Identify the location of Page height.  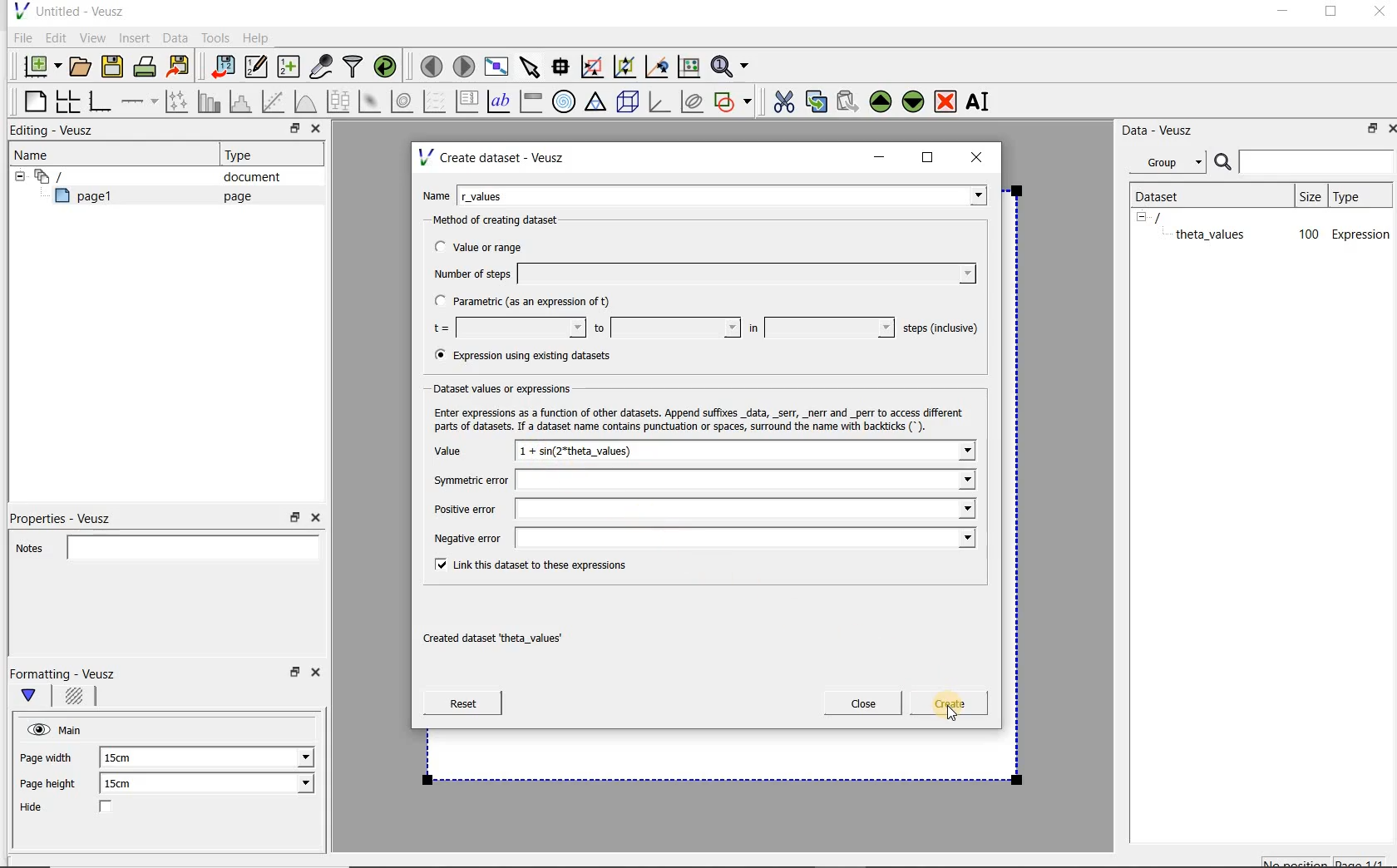
(53, 786).